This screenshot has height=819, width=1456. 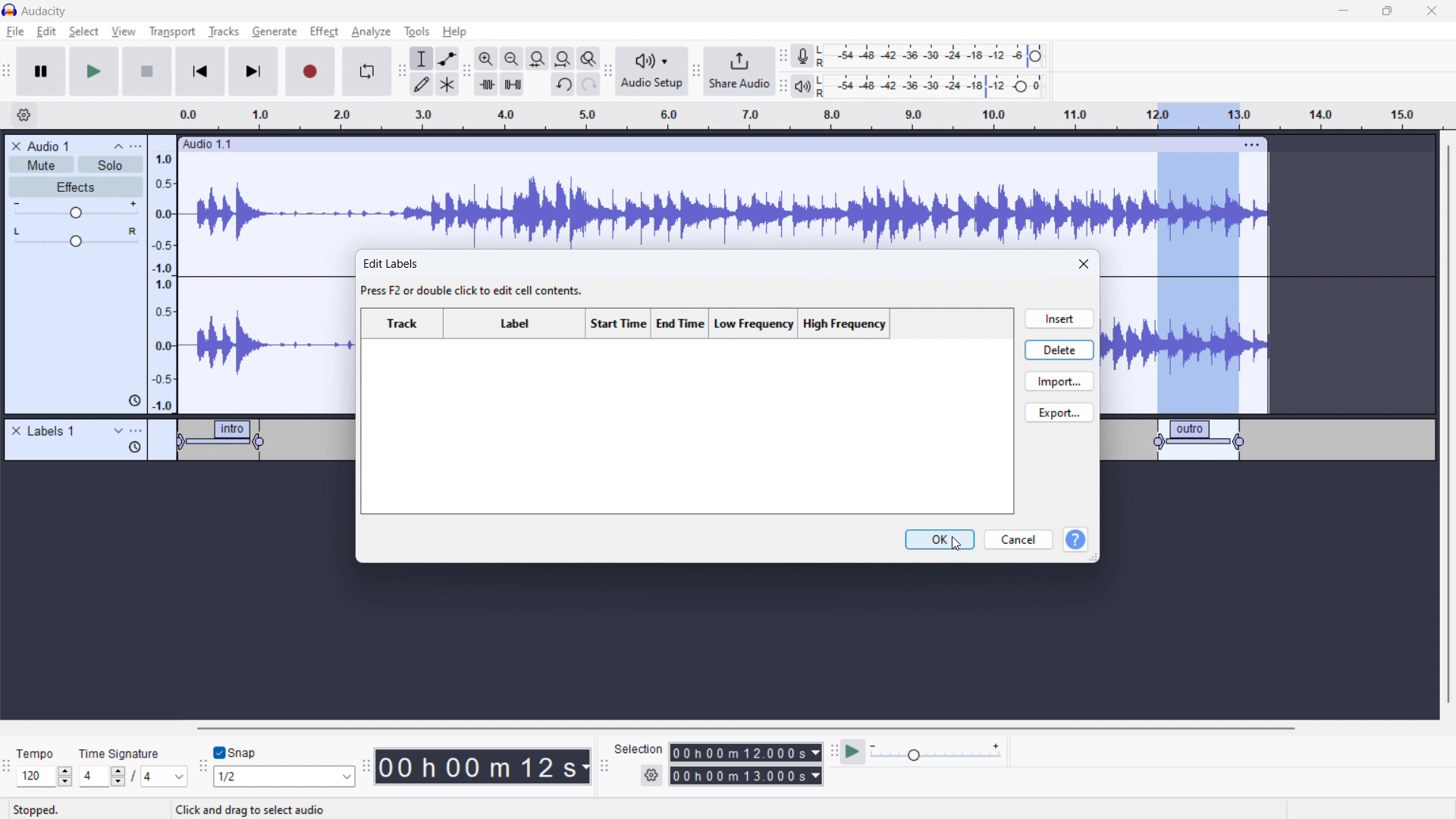 I want to click on vertical scrollbar, so click(x=1446, y=426).